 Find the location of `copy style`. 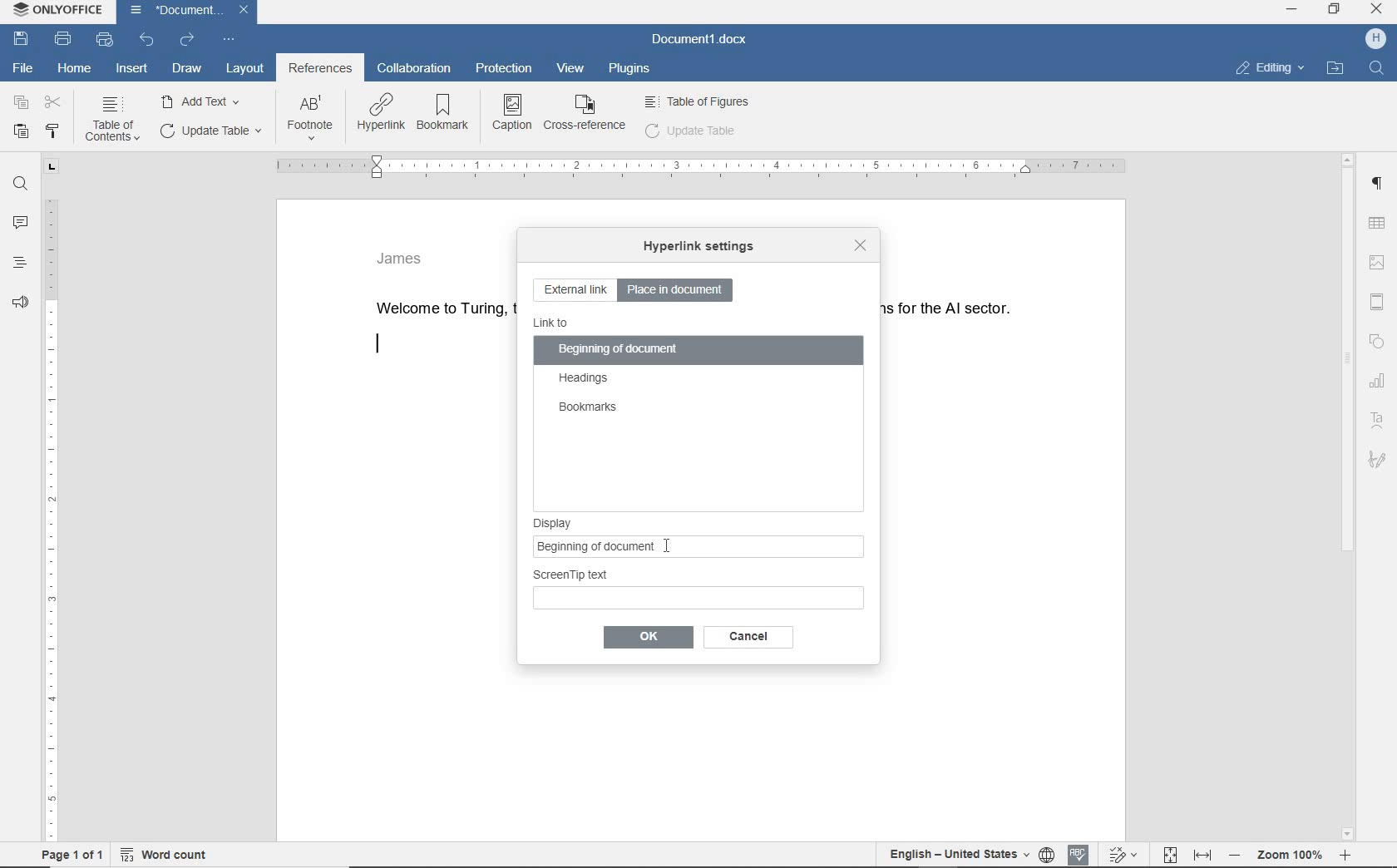

copy style is located at coordinates (55, 130).